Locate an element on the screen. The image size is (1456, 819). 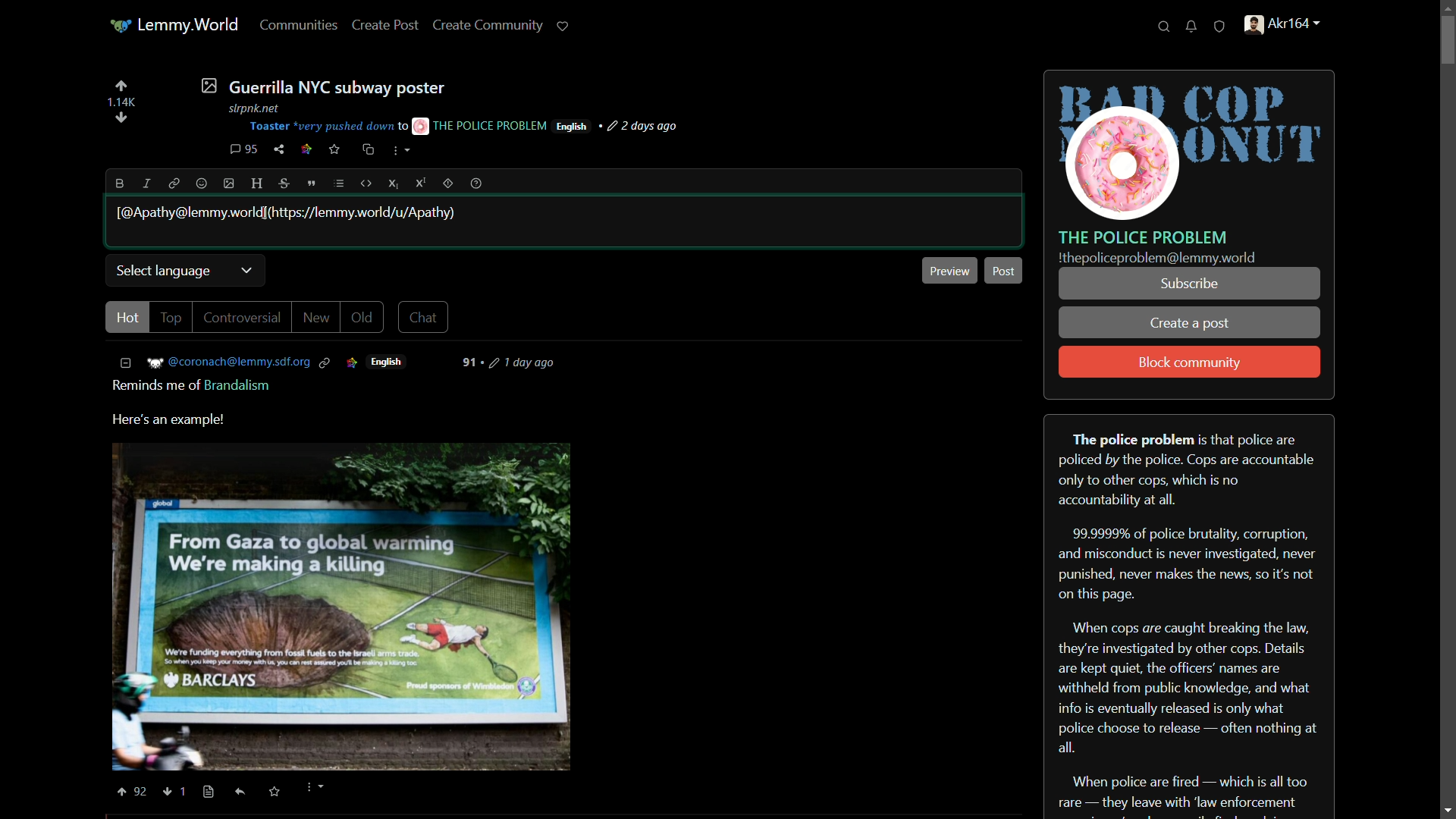
server name is located at coordinates (1144, 237).